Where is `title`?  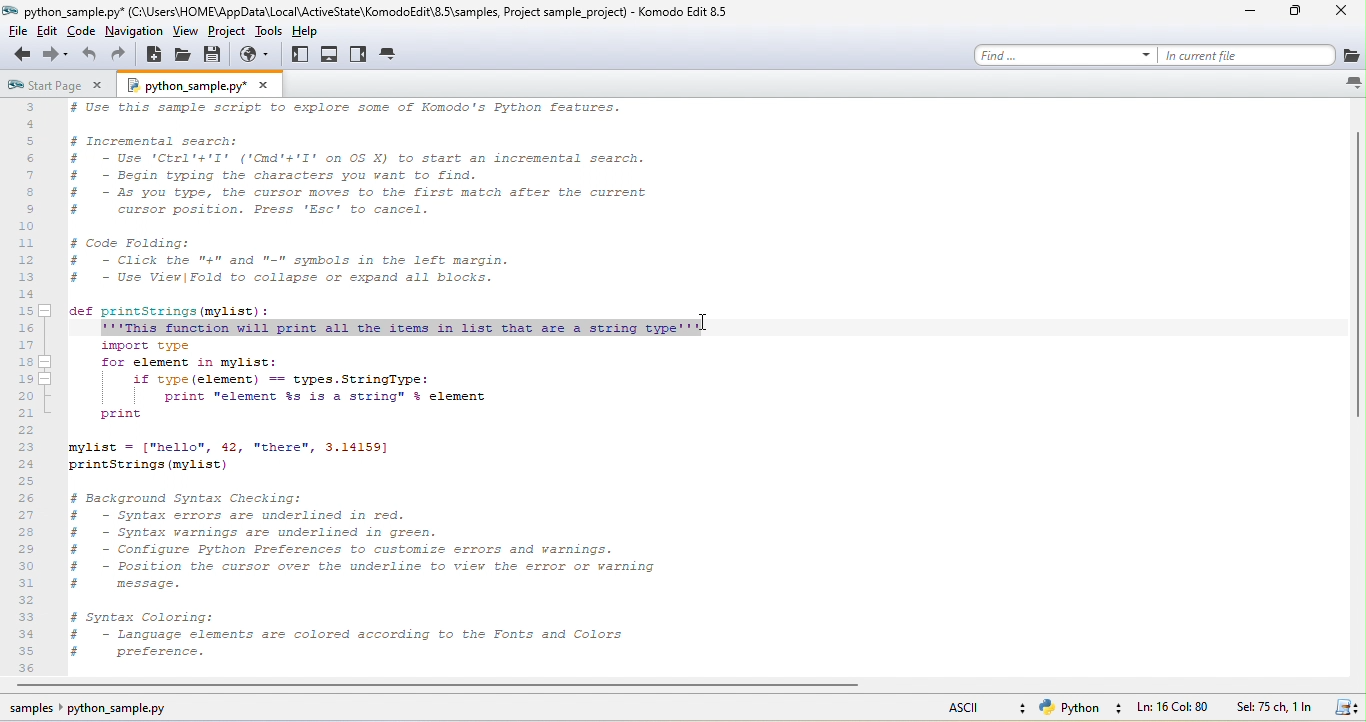
title is located at coordinates (378, 12).